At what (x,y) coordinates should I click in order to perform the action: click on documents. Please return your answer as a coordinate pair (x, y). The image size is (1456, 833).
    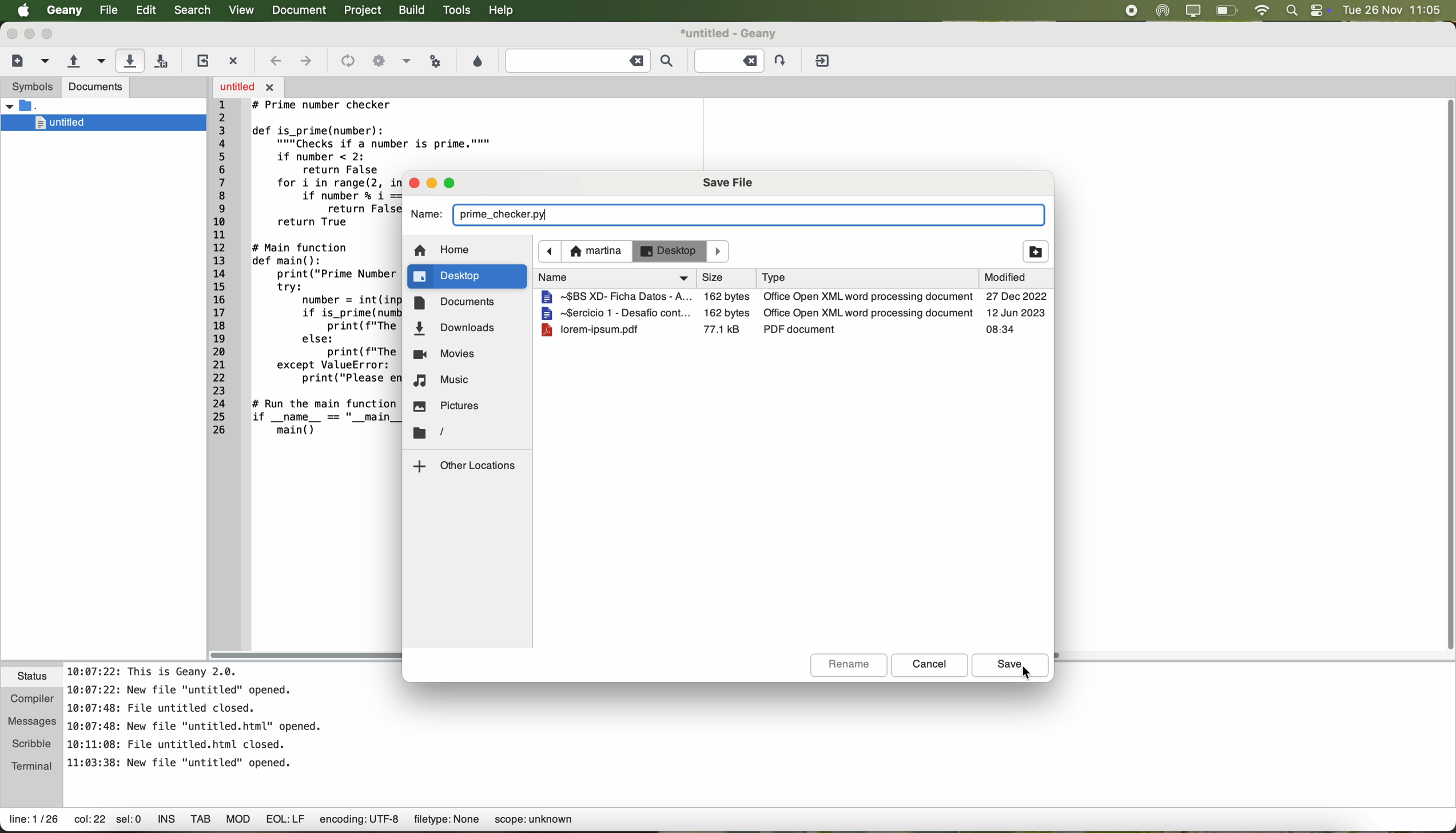
    Looking at the image, I should click on (471, 305).